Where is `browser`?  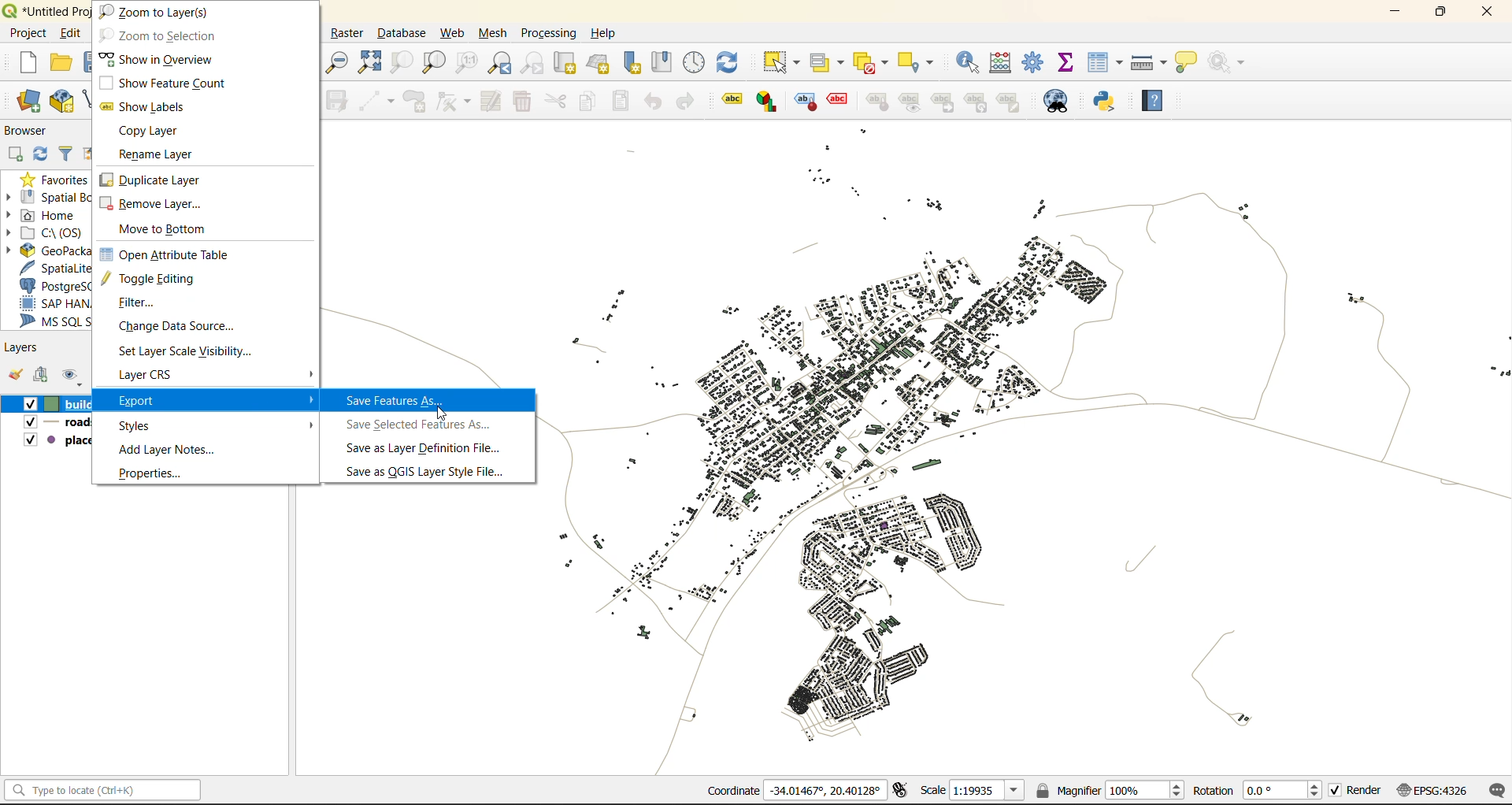
browser is located at coordinates (32, 130).